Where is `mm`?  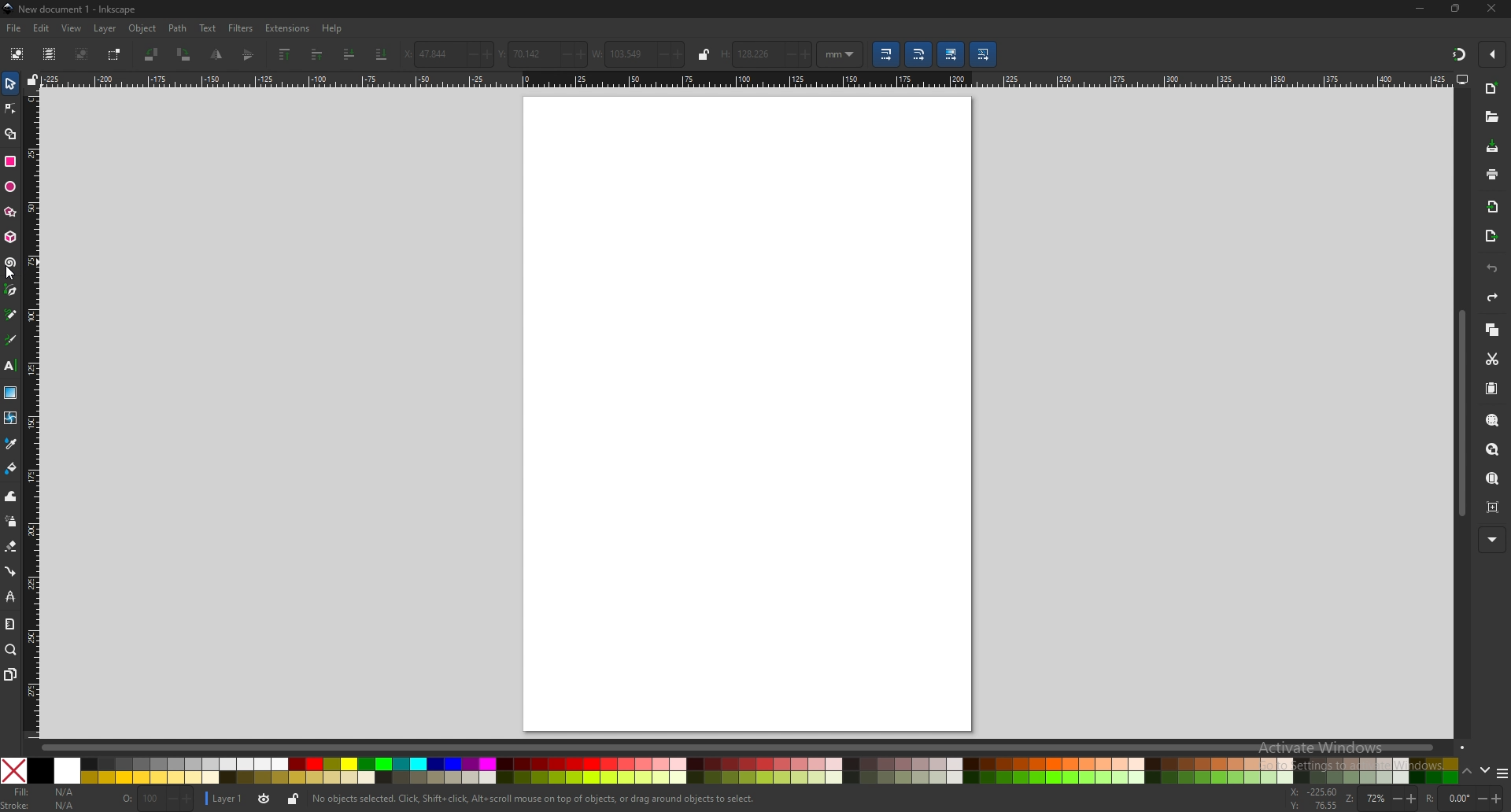 mm is located at coordinates (841, 53).